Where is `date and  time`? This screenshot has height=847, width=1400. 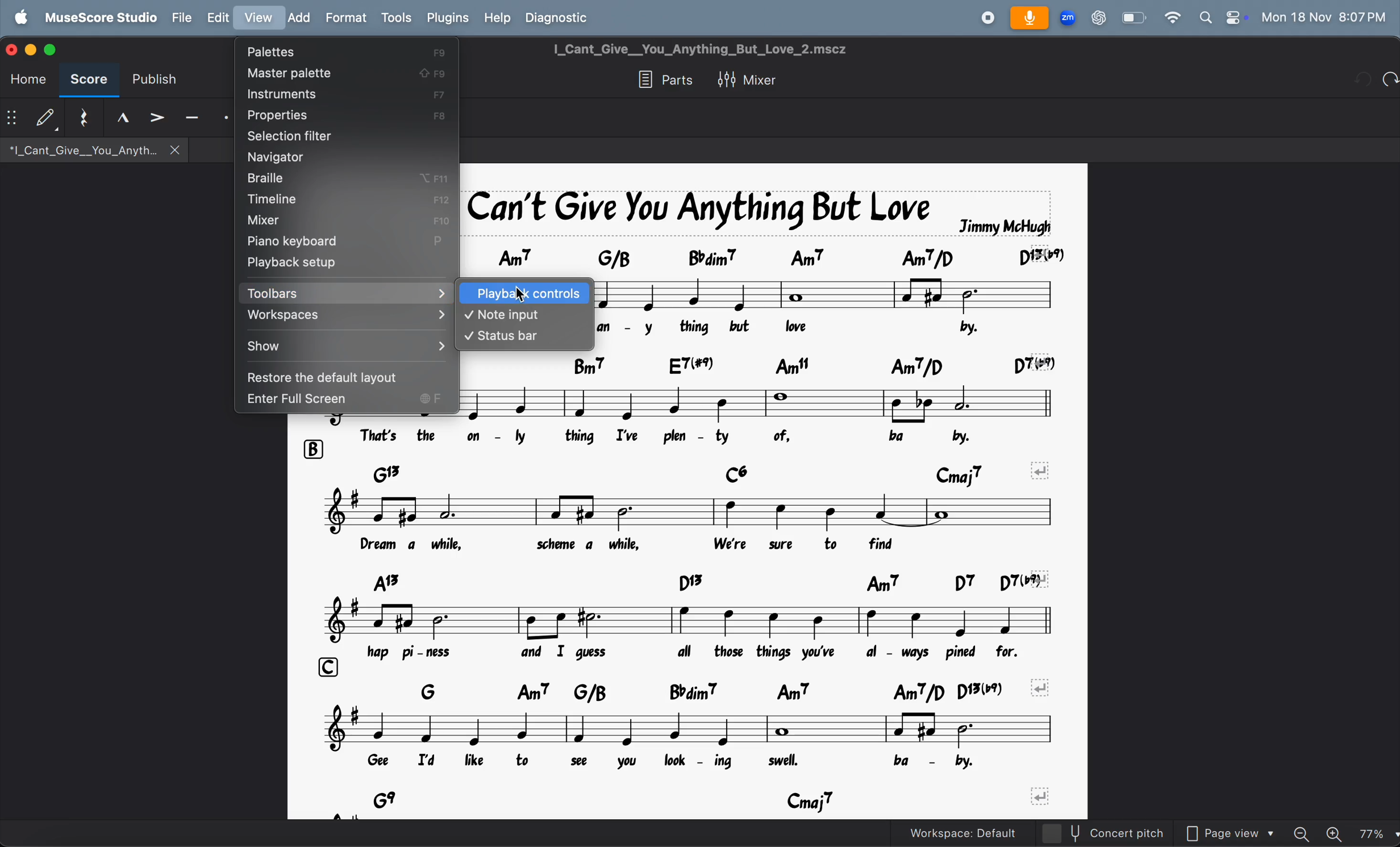 date and  time is located at coordinates (1326, 17).